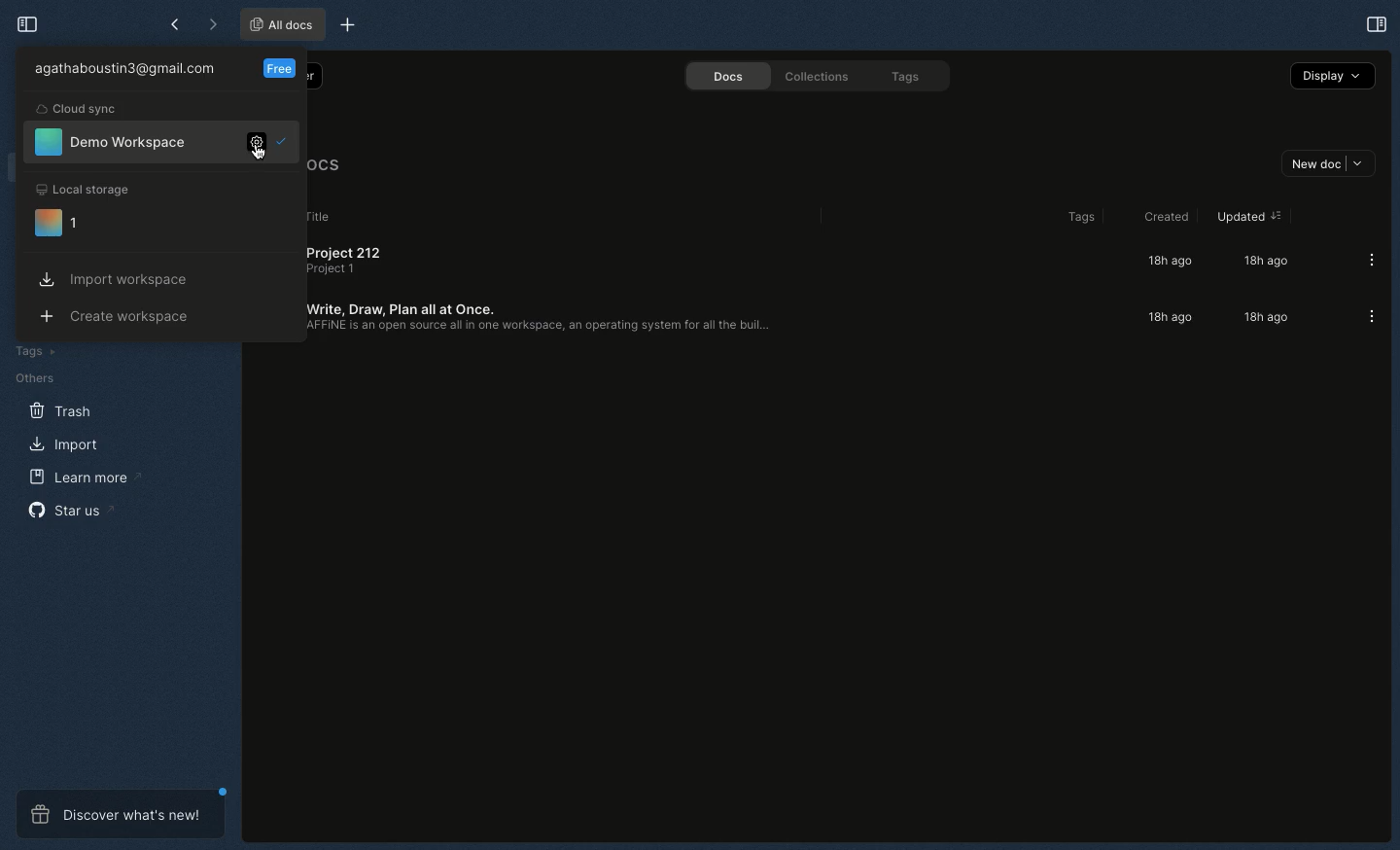 The image size is (1400, 850). What do you see at coordinates (1260, 318) in the screenshot?
I see `18h ago` at bounding box center [1260, 318].